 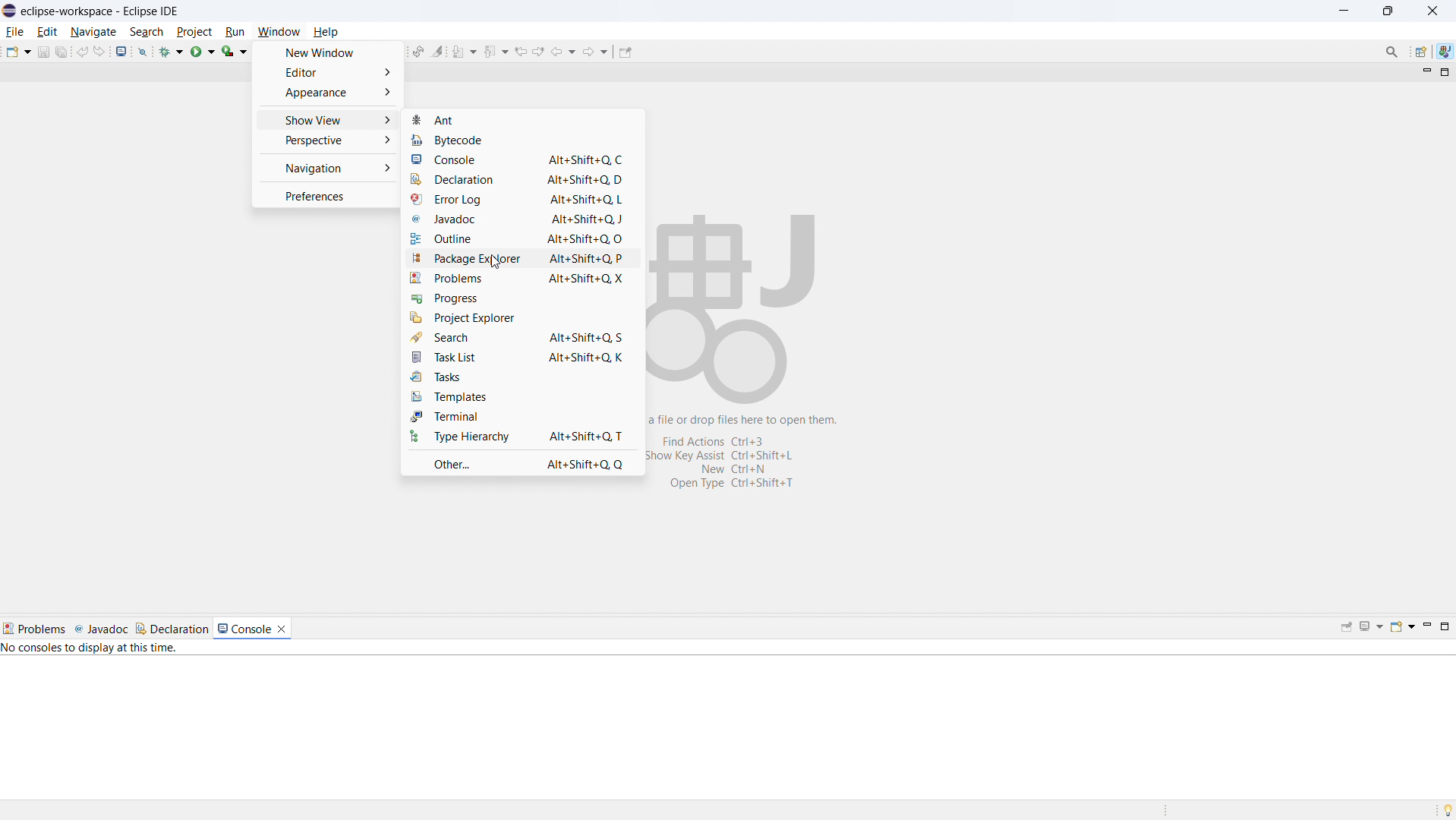 What do you see at coordinates (147, 32) in the screenshot?
I see `search` at bounding box center [147, 32].